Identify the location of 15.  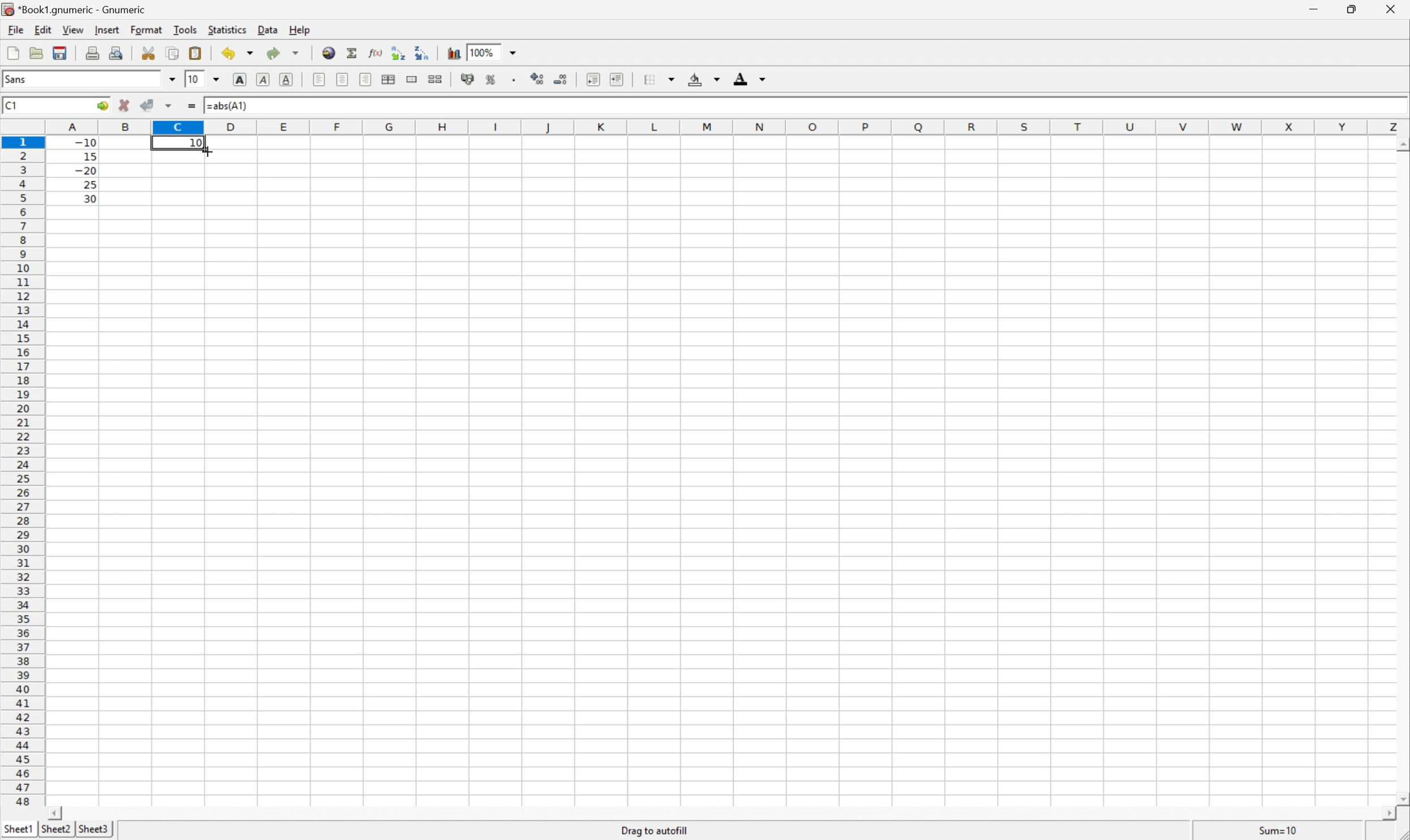
(87, 155).